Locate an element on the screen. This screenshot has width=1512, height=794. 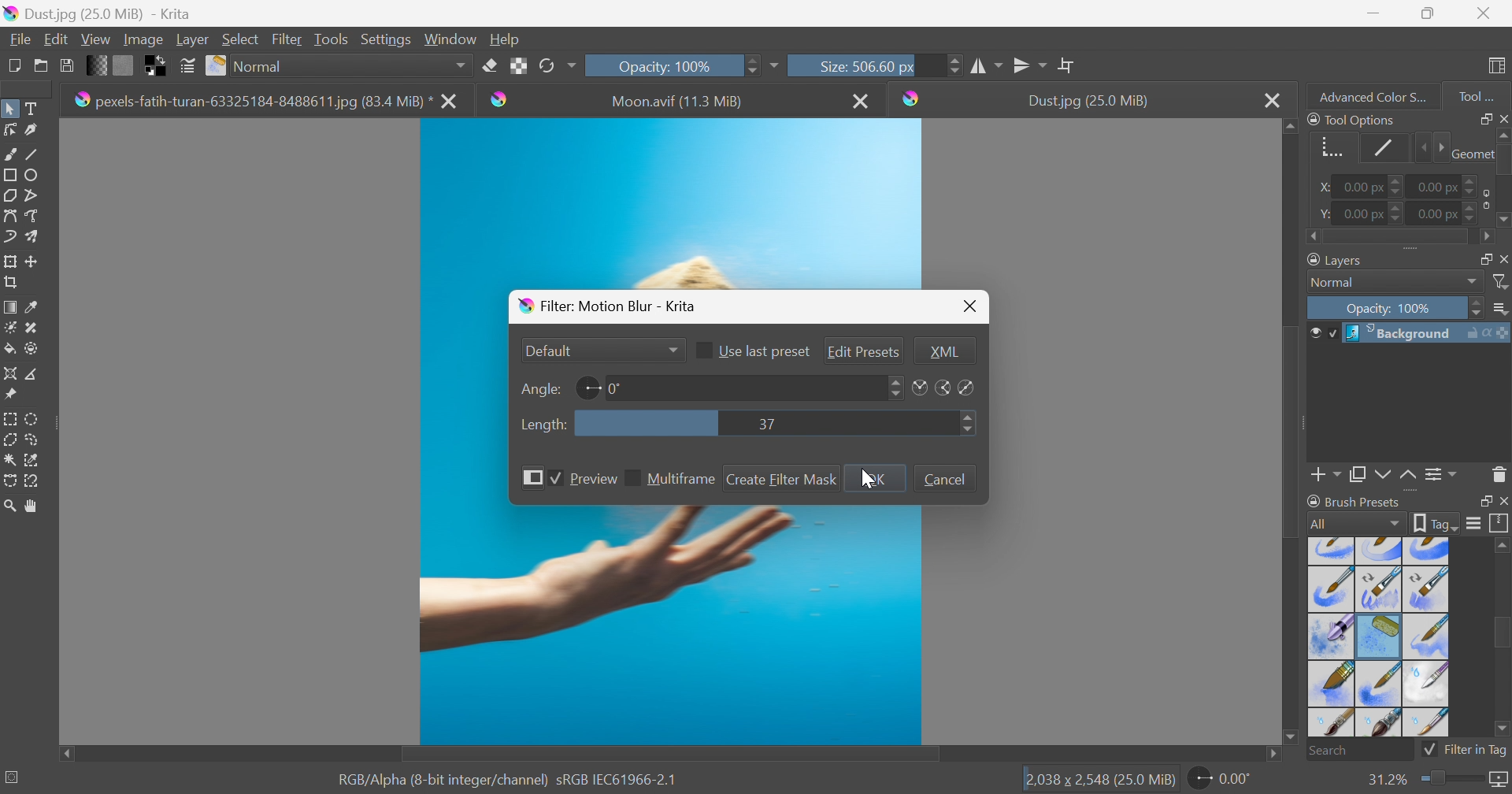
Filter is located at coordinates (289, 39).